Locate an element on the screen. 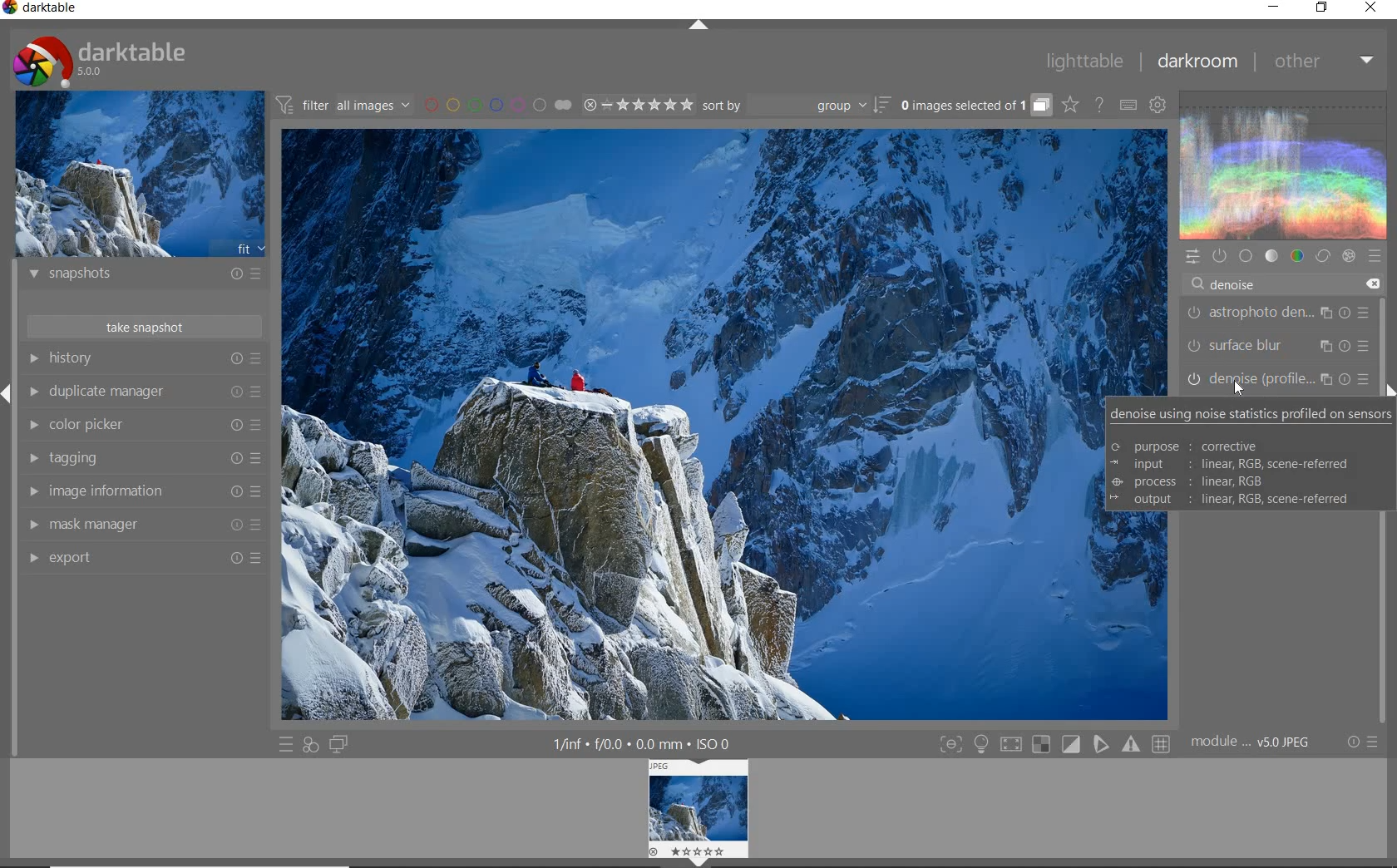 The image size is (1397, 868). filter all images by module order is located at coordinates (344, 104).